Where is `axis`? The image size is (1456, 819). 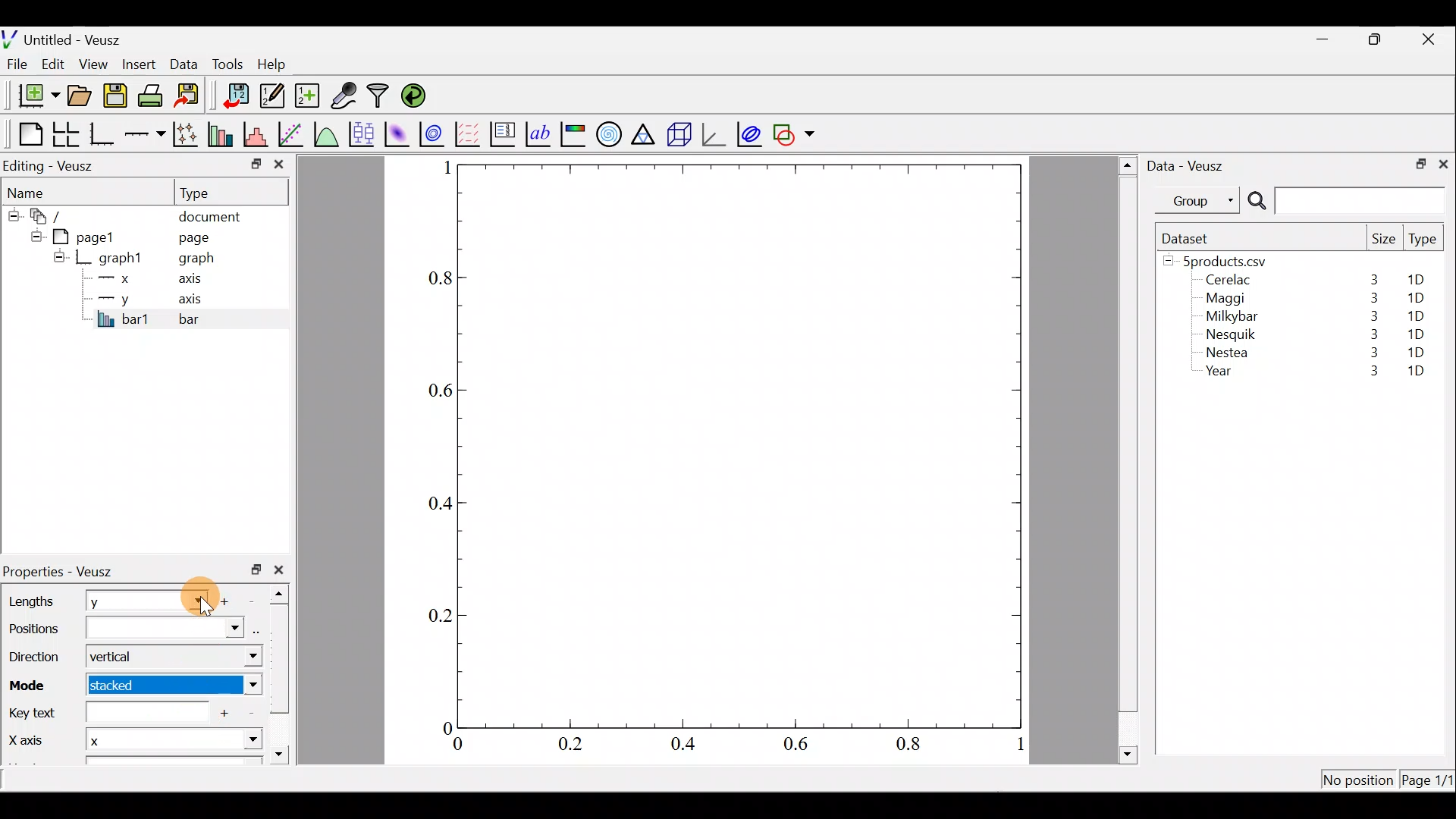
axis is located at coordinates (197, 300).